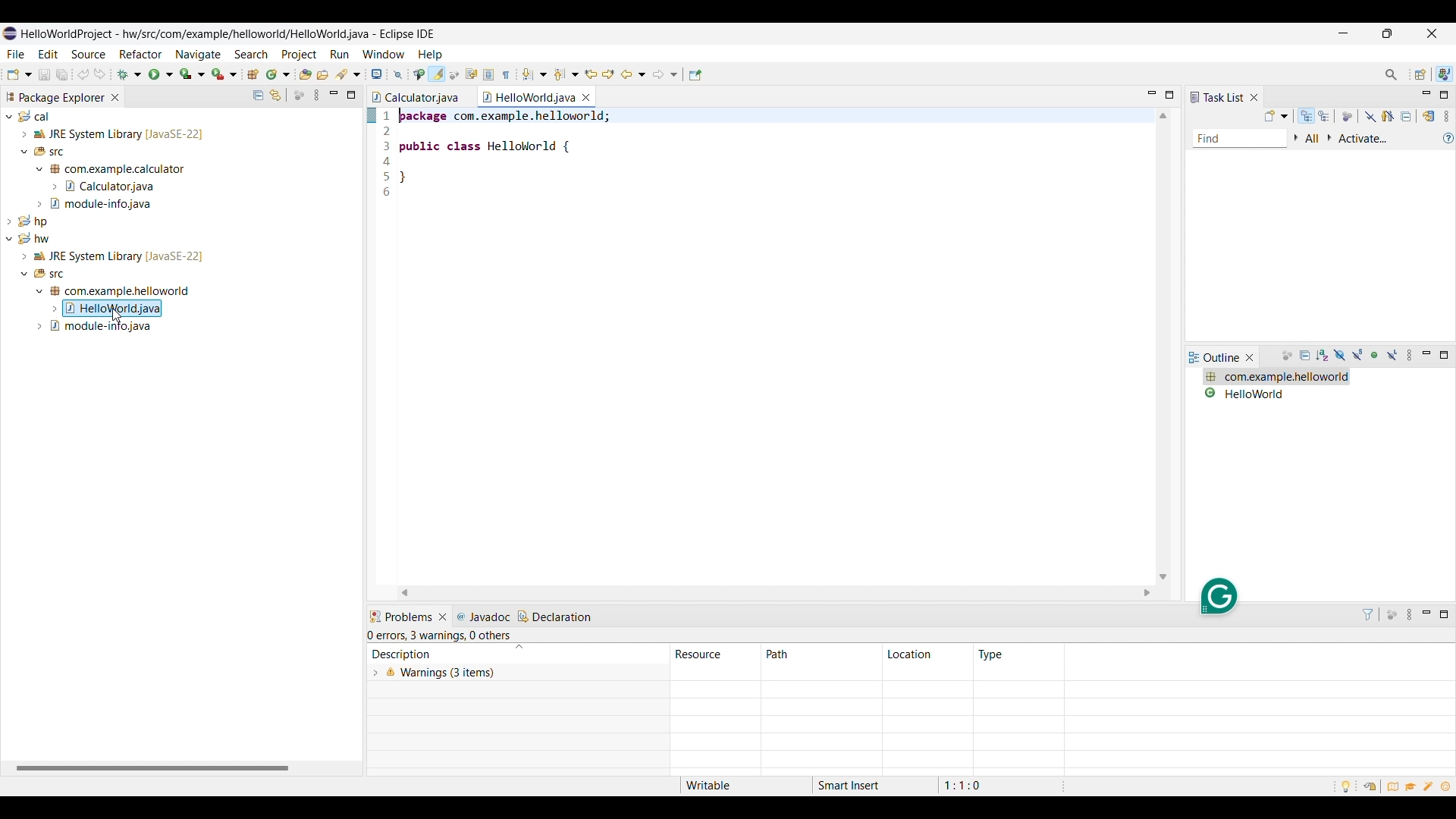  What do you see at coordinates (1428, 615) in the screenshot?
I see `Minimize` at bounding box center [1428, 615].